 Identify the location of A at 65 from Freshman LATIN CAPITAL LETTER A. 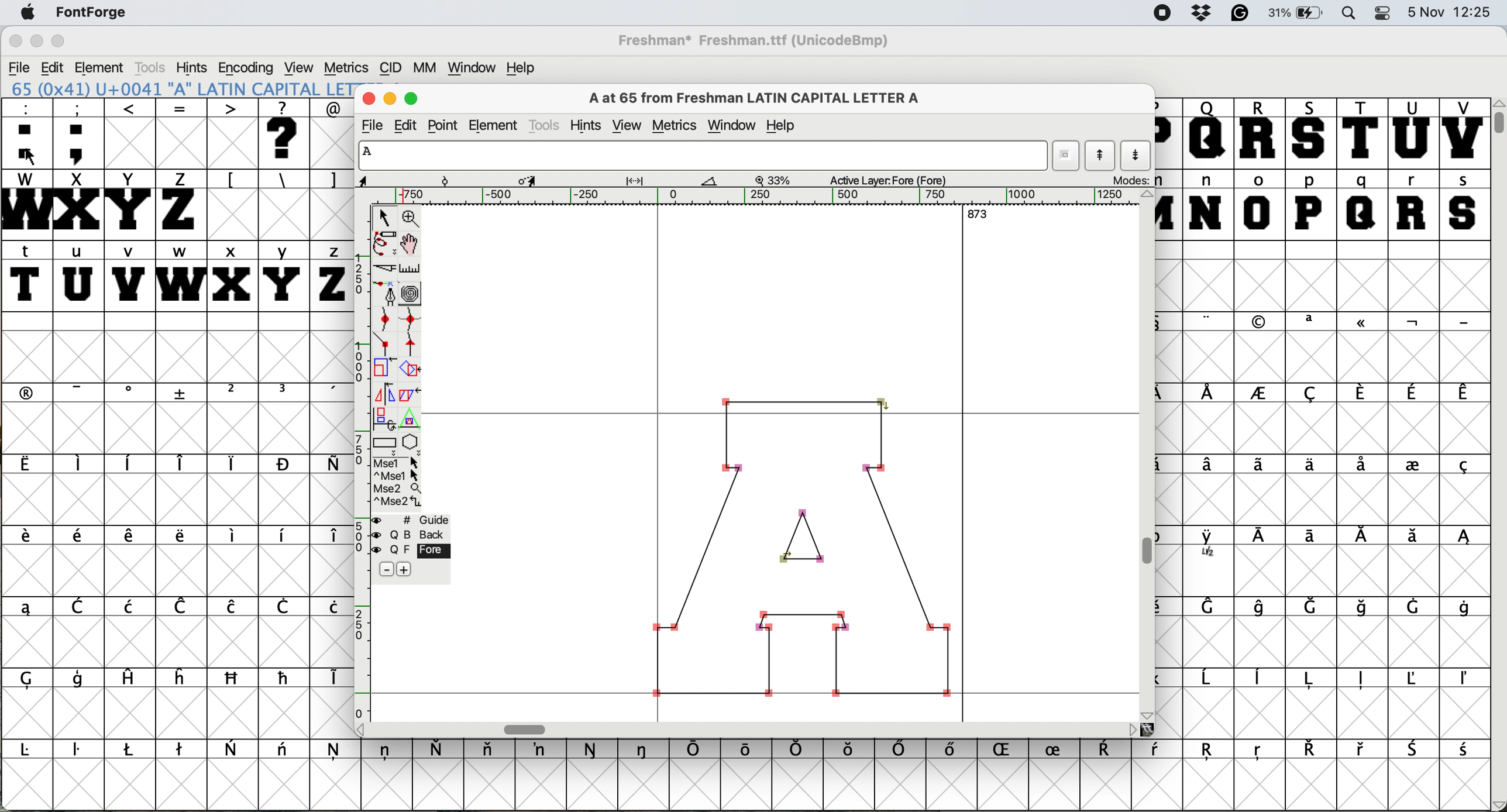
(761, 99).